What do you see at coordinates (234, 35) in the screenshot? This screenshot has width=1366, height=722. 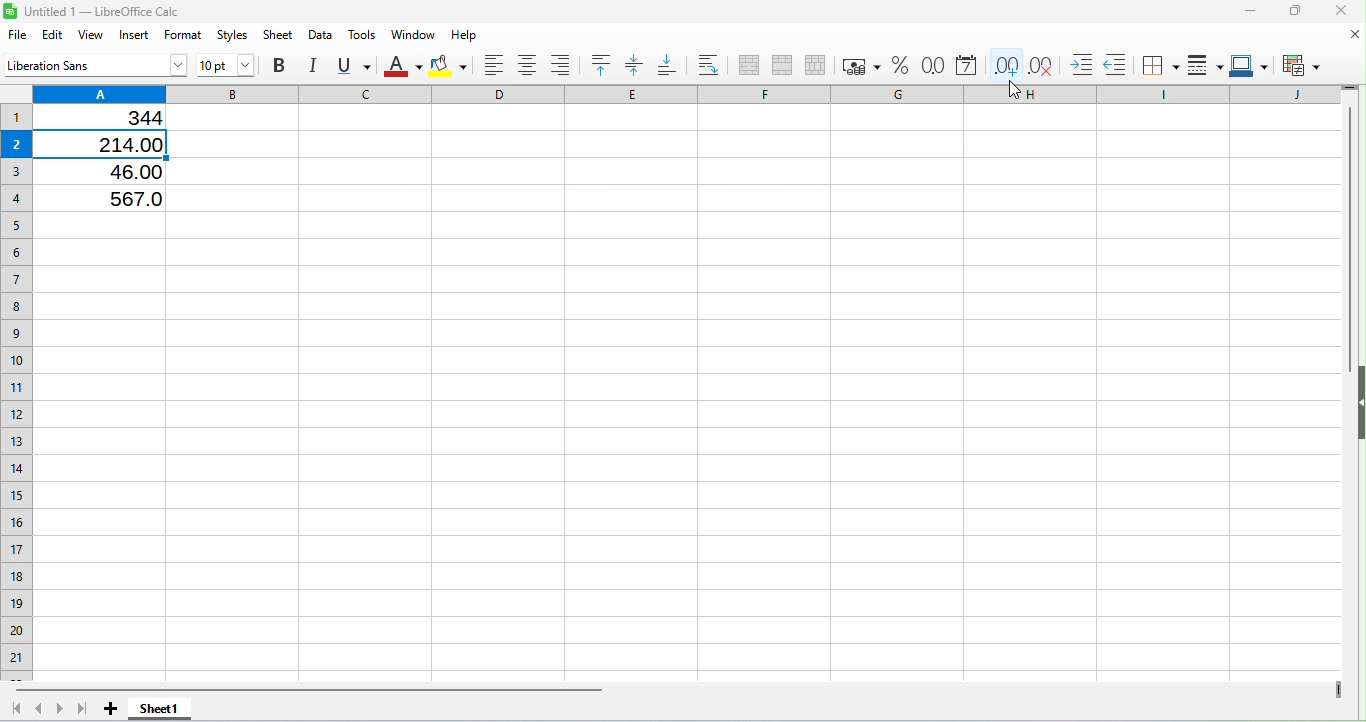 I see `Styles` at bounding box center [234, 35].